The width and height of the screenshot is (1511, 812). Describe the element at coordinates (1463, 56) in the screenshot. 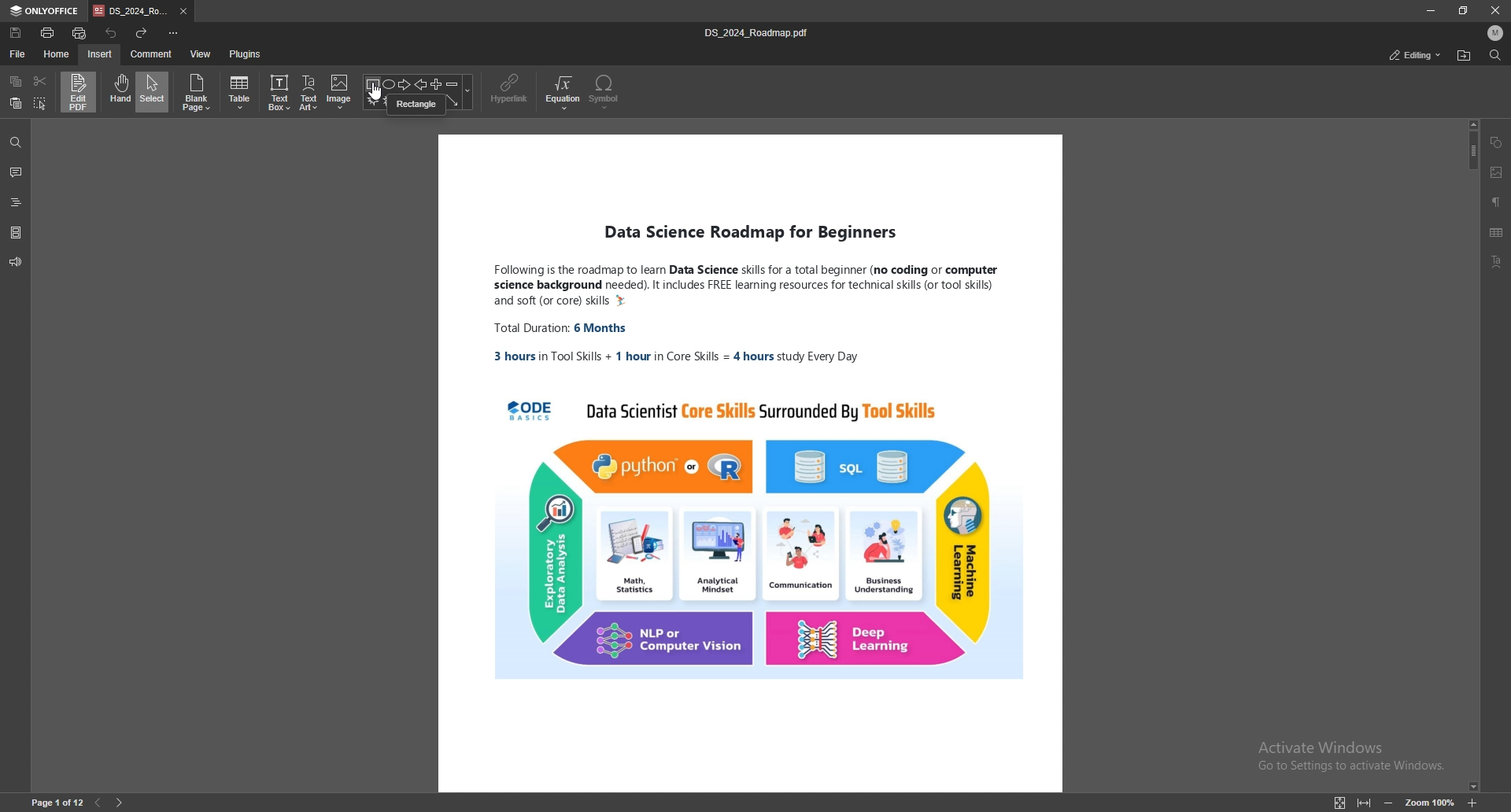

I see `open file location` at that location.